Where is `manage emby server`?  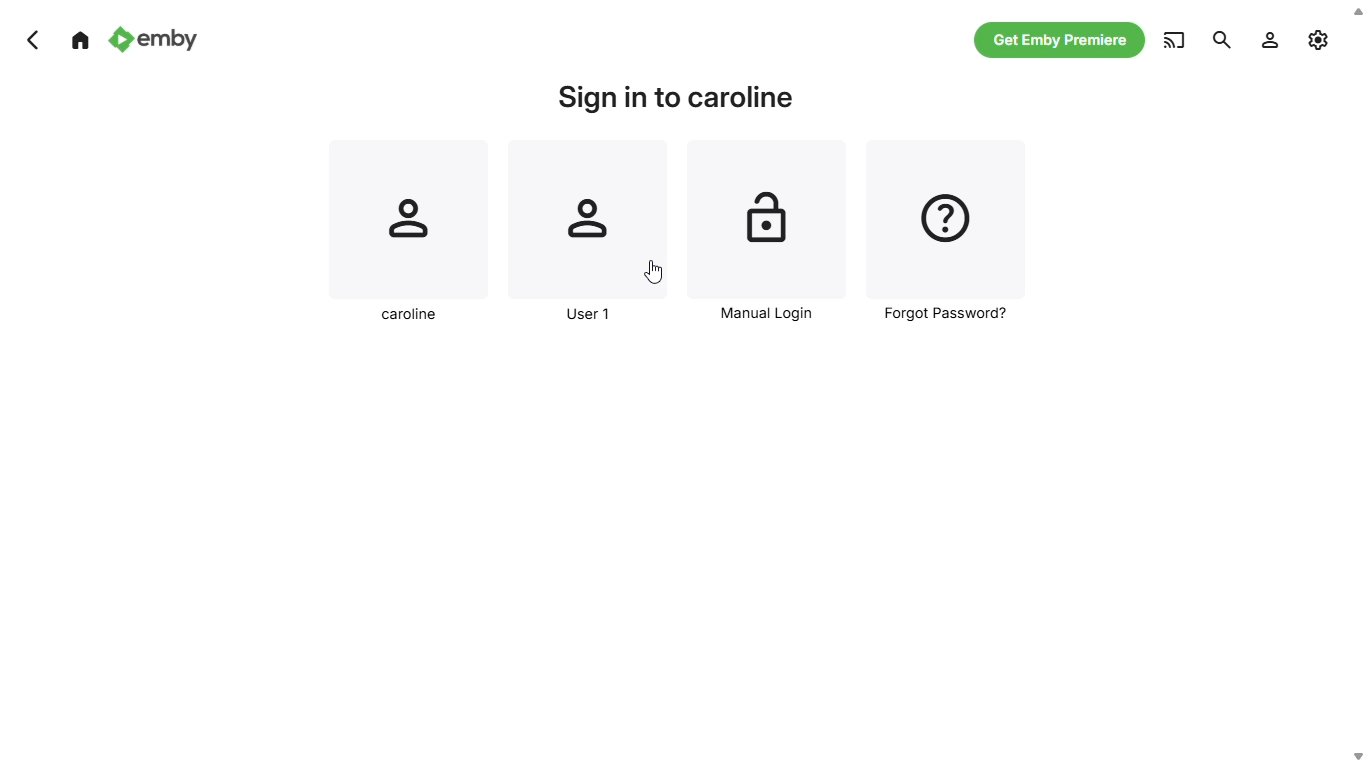
manage emby server is located at coordinates (1320, 39).